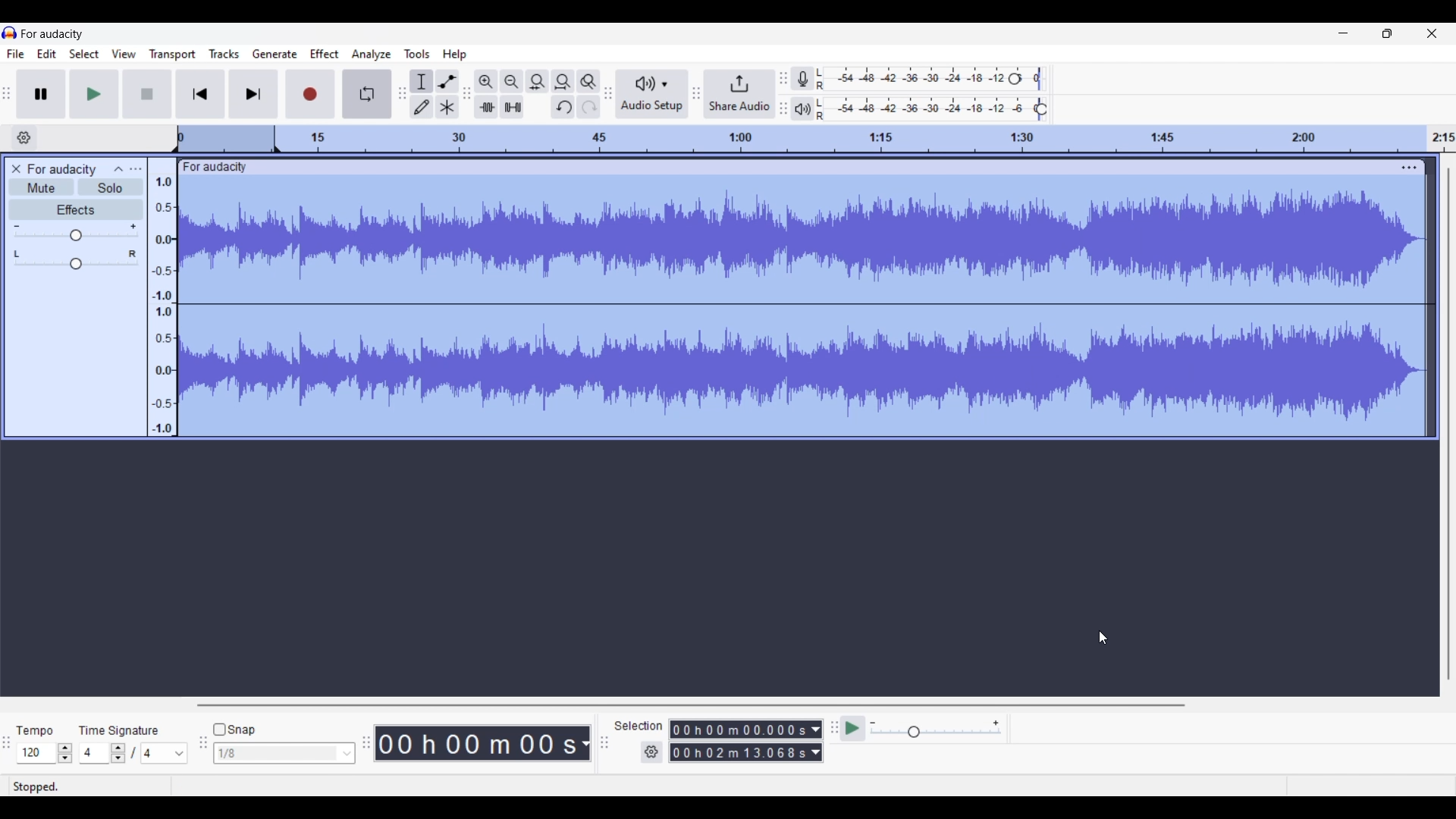  I want to click on Tempo, so click(36, 729).